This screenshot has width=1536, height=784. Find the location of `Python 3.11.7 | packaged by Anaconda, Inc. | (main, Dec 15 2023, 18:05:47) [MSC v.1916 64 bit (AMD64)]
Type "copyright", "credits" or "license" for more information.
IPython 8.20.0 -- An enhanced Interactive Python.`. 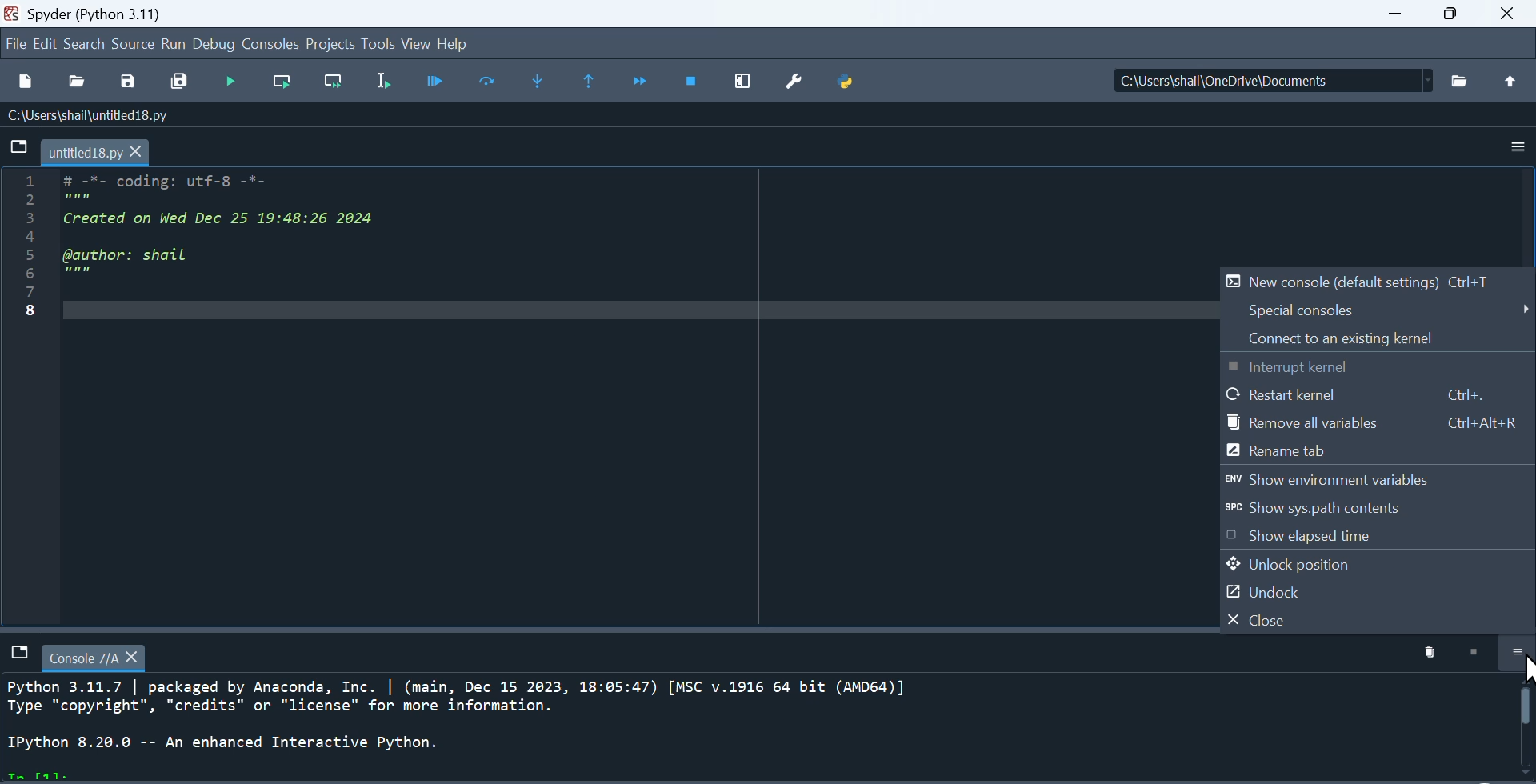

Python 3.11.7 | packaged by Anaconda, Inc. | (main, Dec 15 2023, 18:05:47) [MSC v.1916 64 bit (AMD64)]
Type "copyright", "credits" or "license" for more information.
IPython 8.20.0 -- An enhanced Interactive Python. is located at coordinates (755, 730).